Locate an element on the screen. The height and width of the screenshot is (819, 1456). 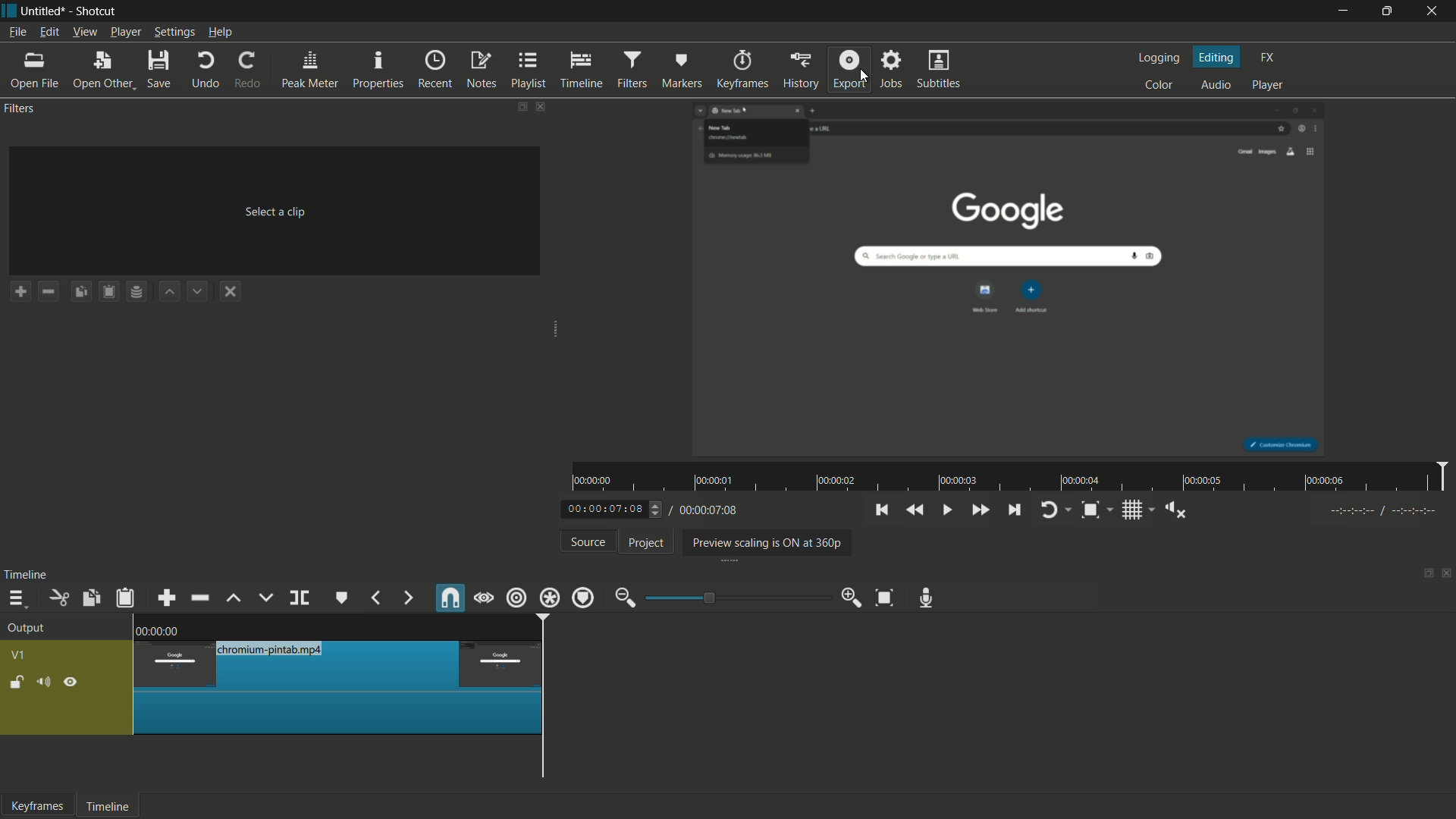
file menu is located at coordinates (17, 32).